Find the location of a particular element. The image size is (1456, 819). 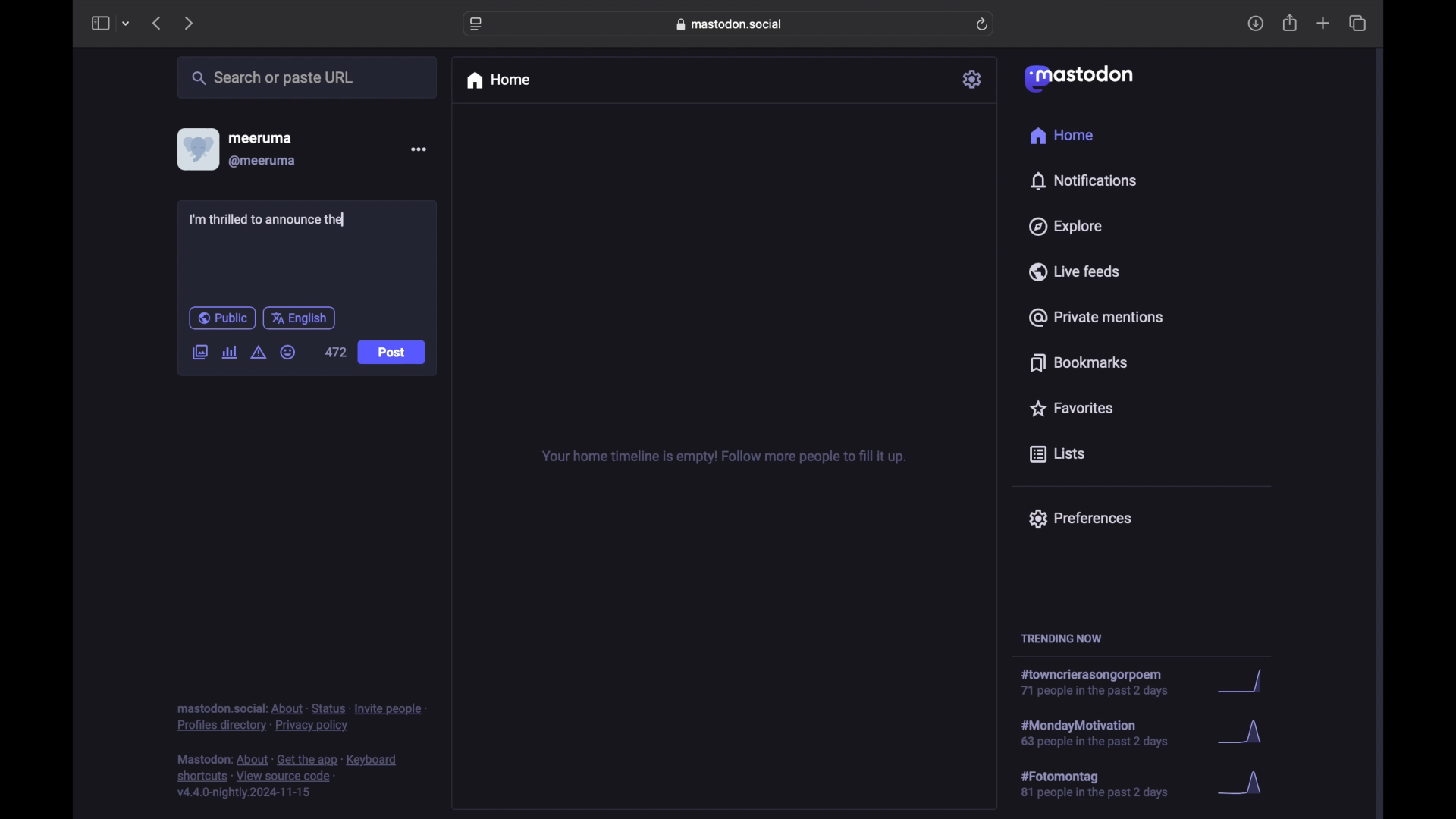

emoji is located at coordinates (287, 352).